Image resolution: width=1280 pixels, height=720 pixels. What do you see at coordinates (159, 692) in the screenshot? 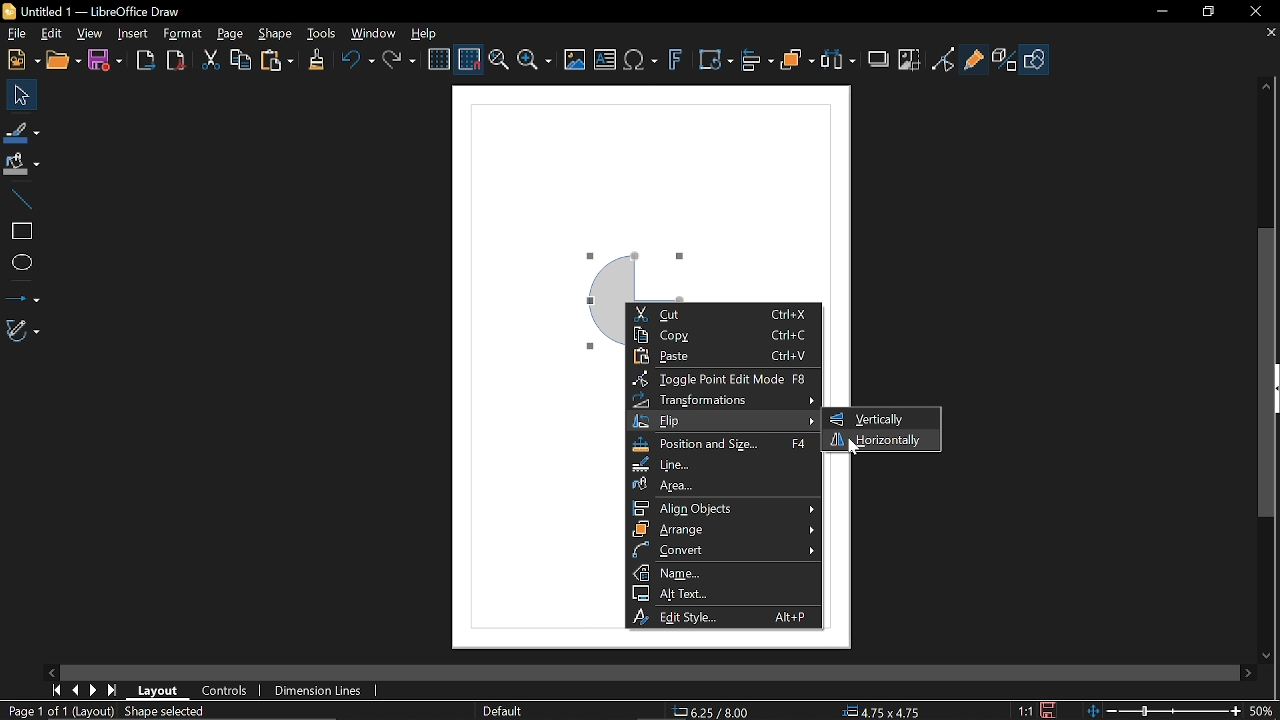
I see `layout` at bounding box center [159, 692].